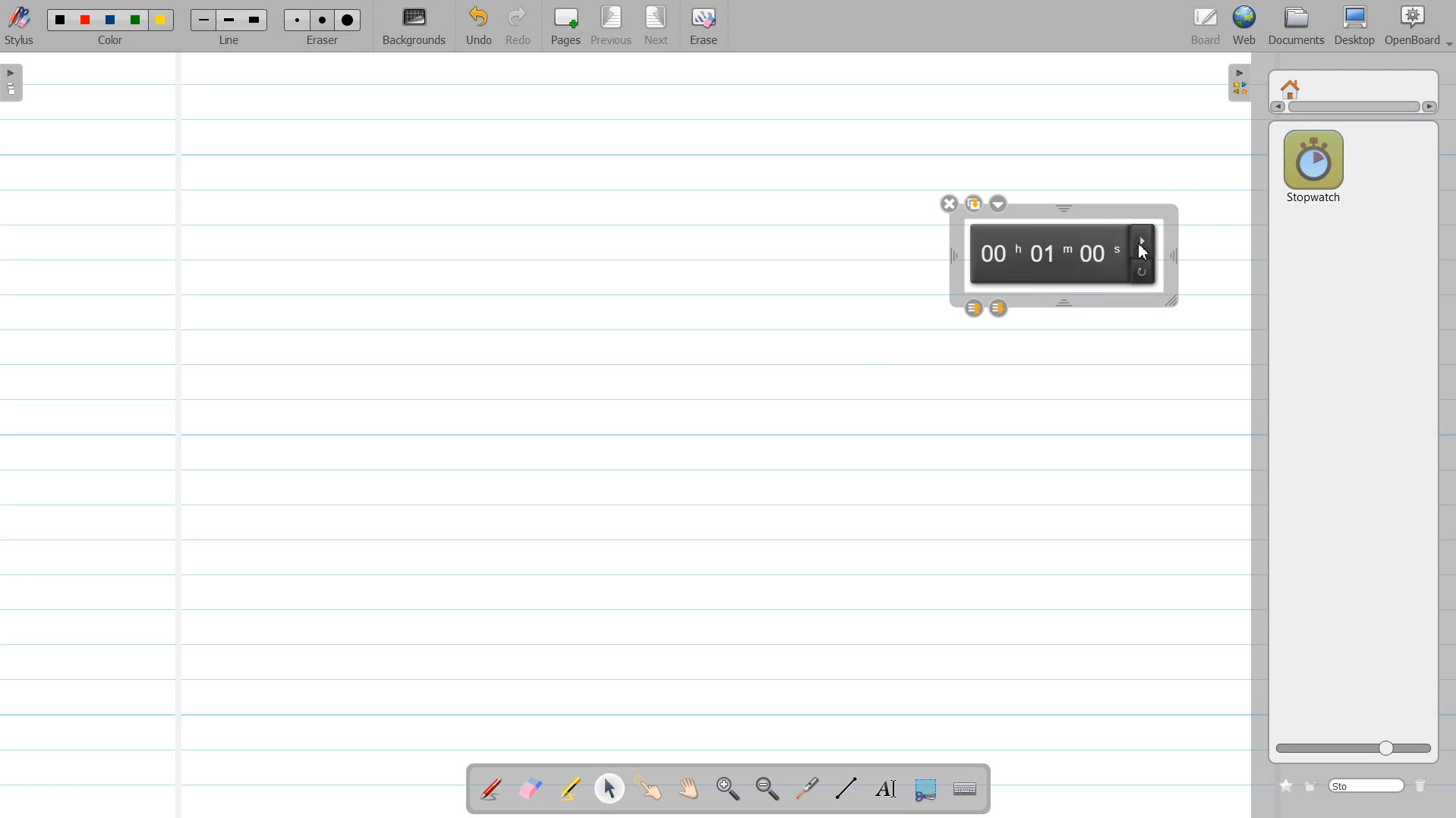  What do you see at coordinates (849, 788) in the screenshot?
I see `Draw Line` at bounding box center [849, 788].